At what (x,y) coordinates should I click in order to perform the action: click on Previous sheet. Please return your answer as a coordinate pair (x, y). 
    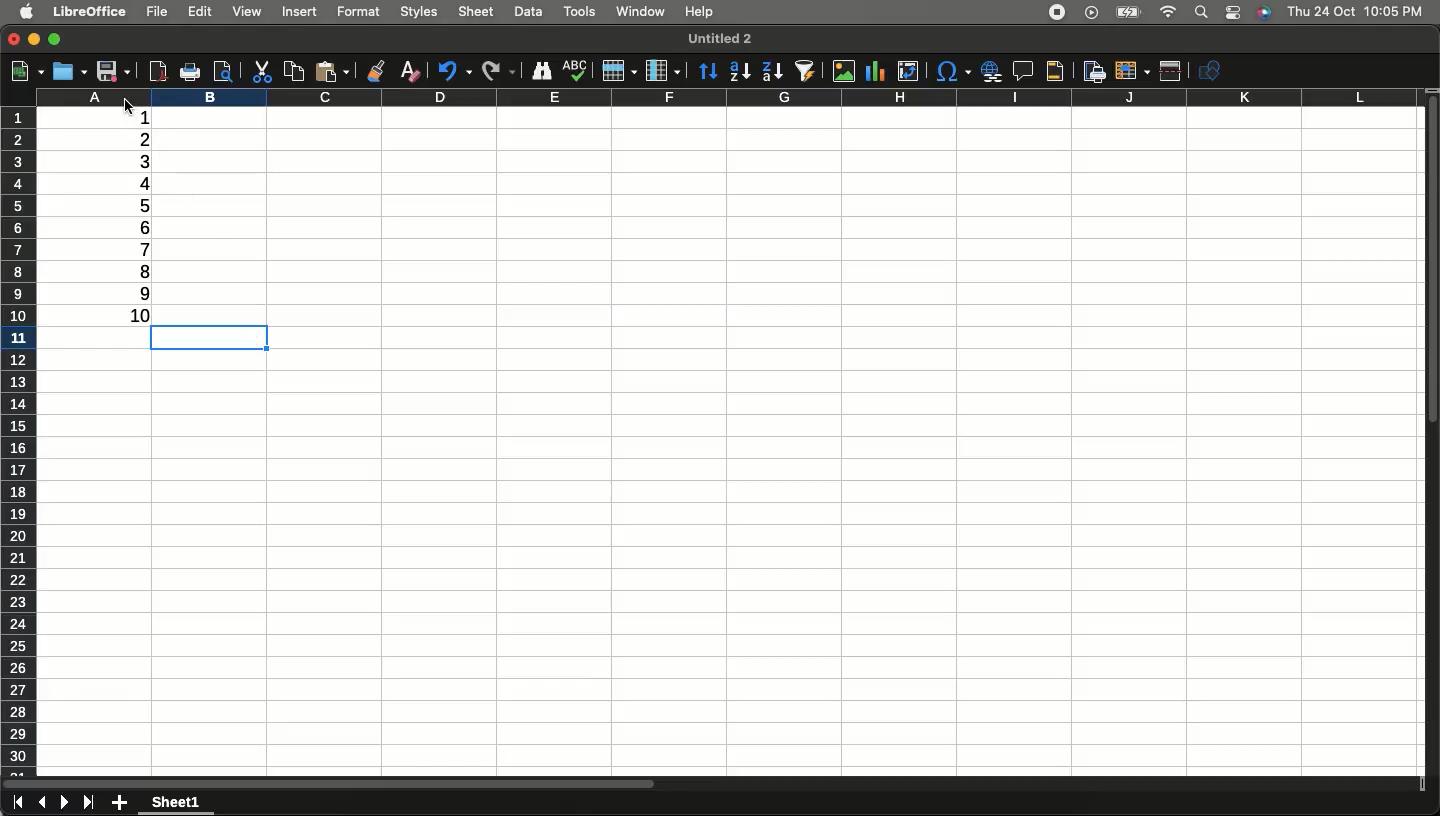
    Looking at the image, I should click on (42, 804).